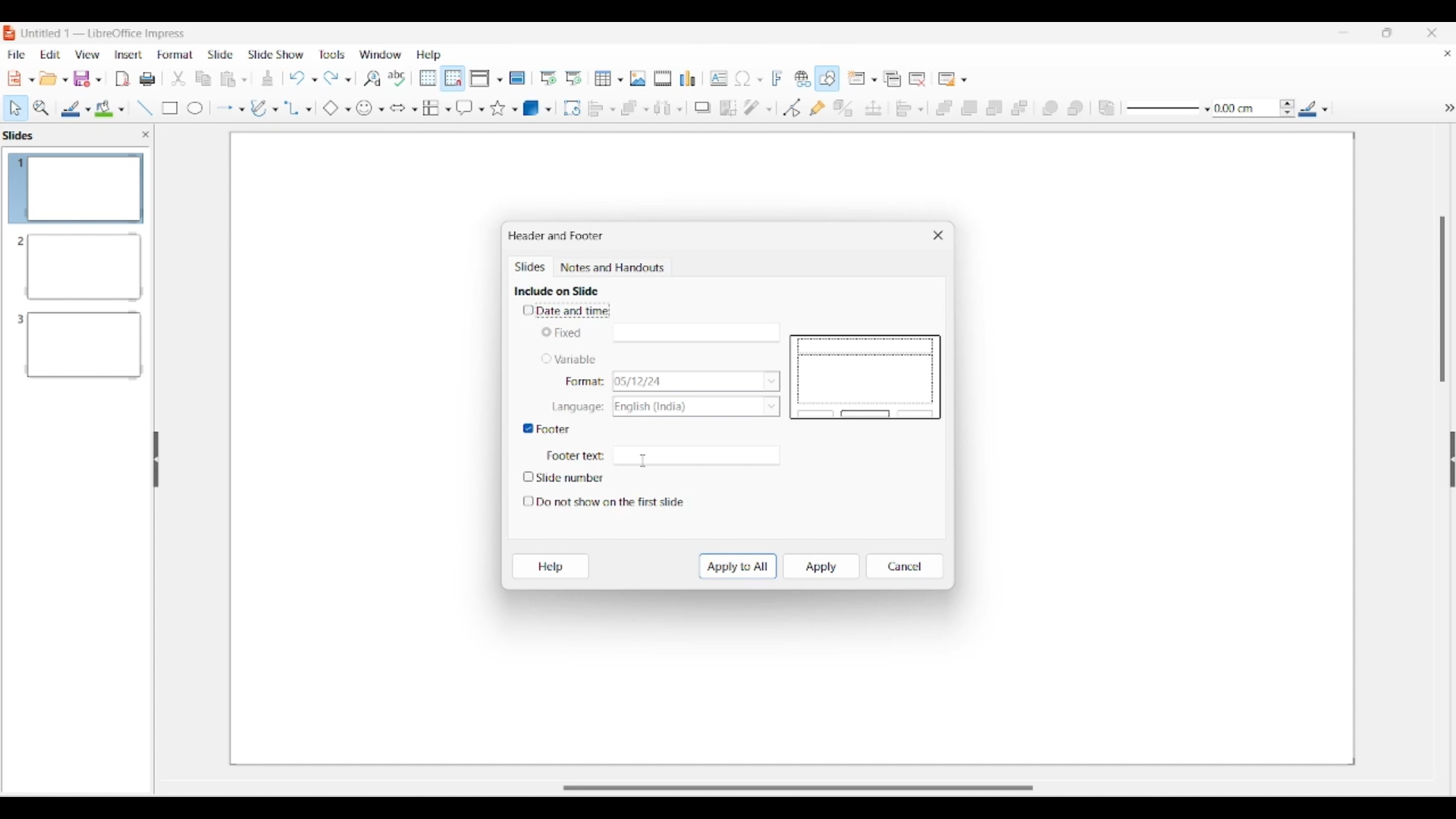 The width and height of the screenshot is (1456, 819). Describe the element at coordinates (298, 108) in the screenshot. I see `Connector options` at that location.